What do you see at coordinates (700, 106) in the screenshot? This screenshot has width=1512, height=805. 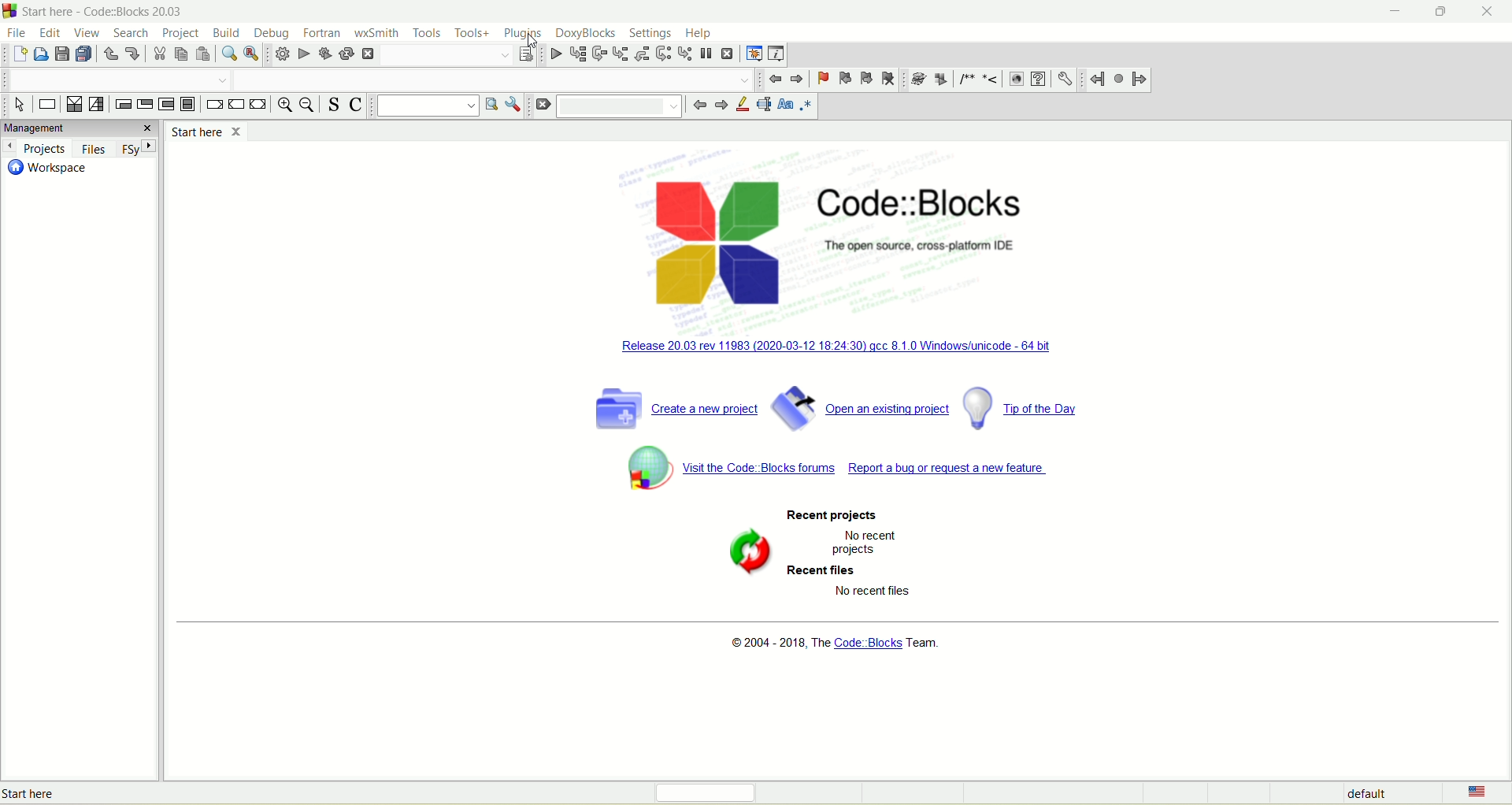 I see `go back` at bounding box center [700, 106].